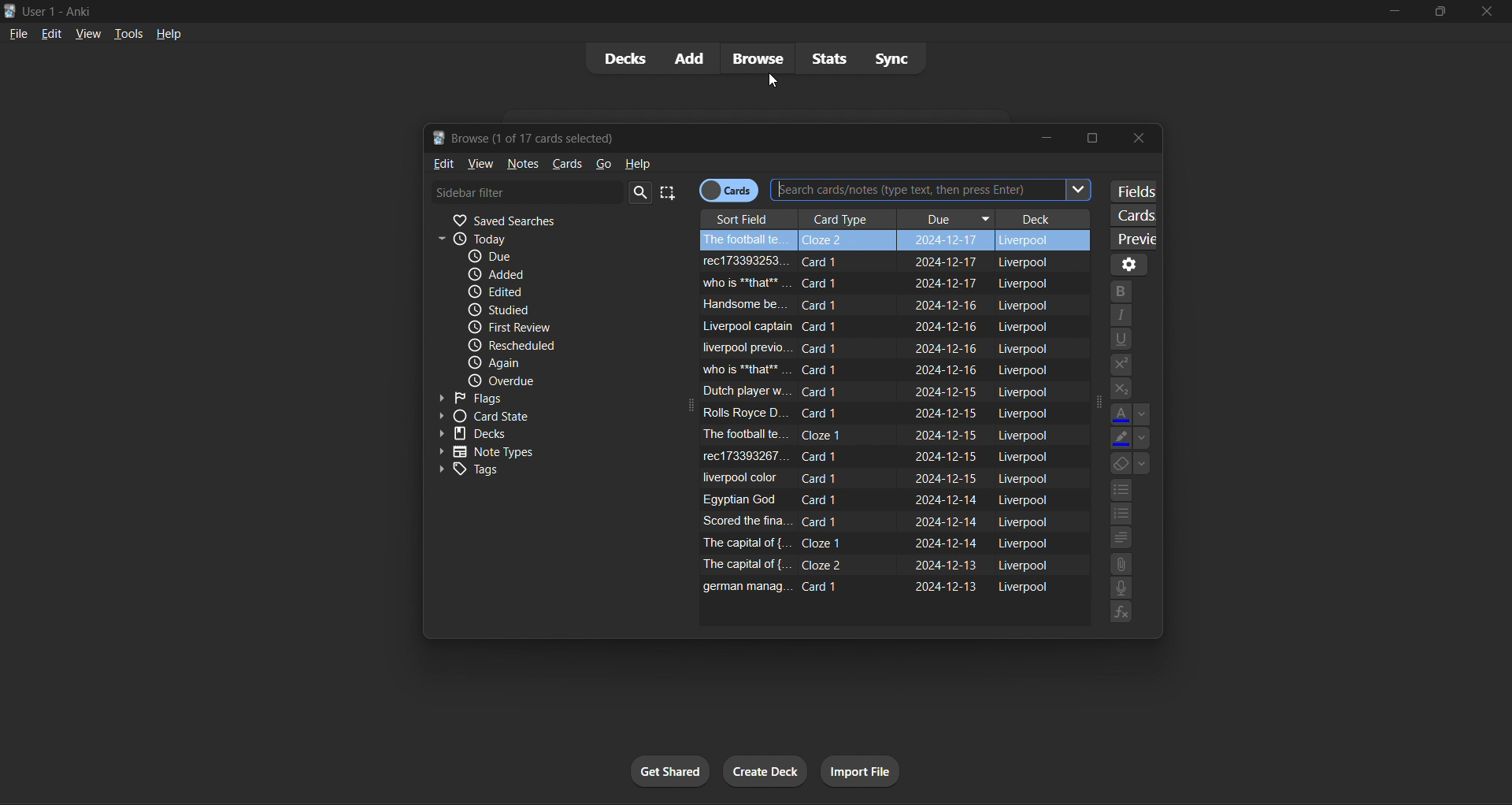  What do you see at coordinates (88, 35) in the screenshot?
I see `view` at bounding box center [88, 35].